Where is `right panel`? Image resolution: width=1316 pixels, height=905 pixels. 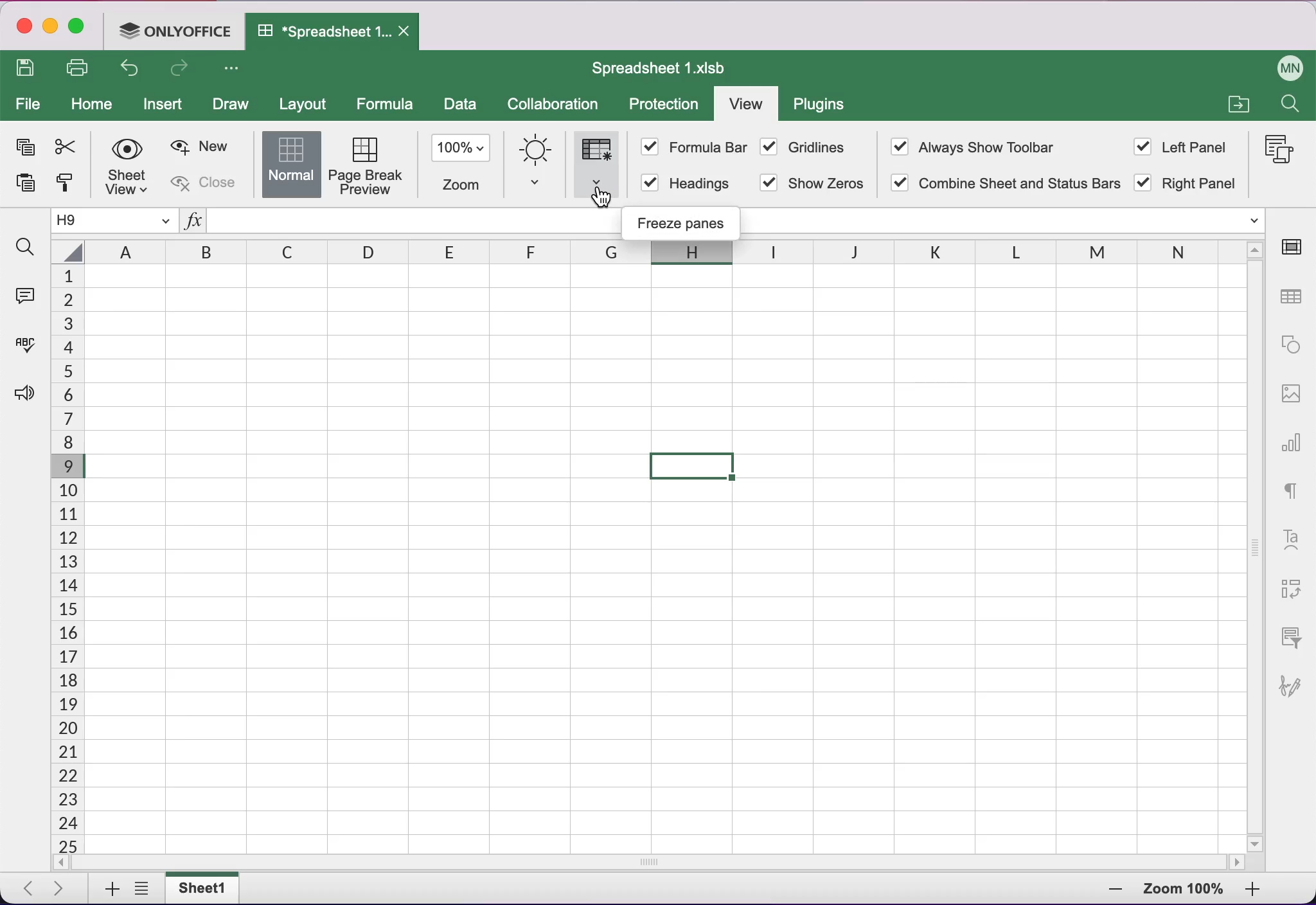 right panel is located at coordinates (1191, 186).